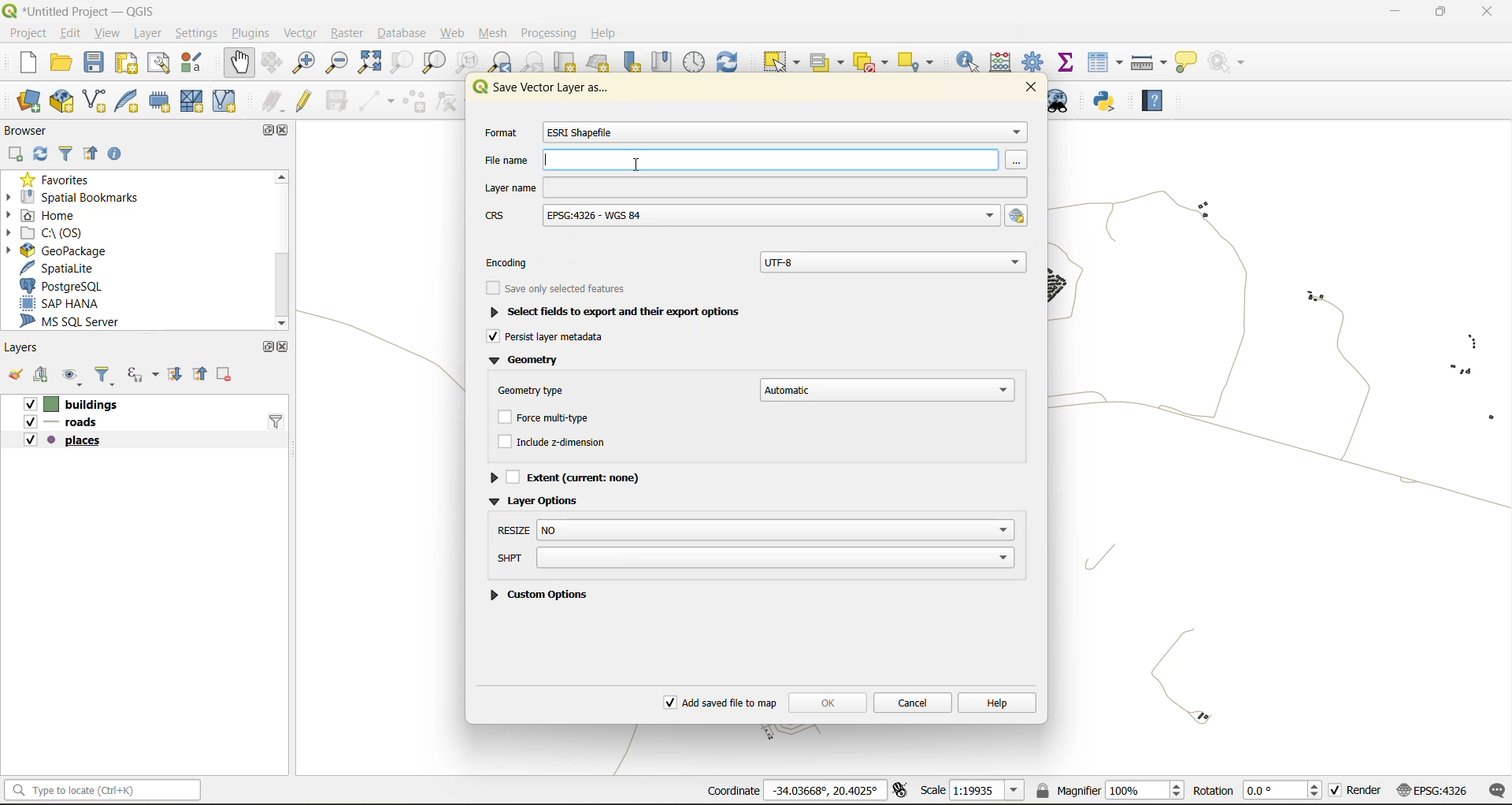  What do you see at coordinates (287, 132) in the screenshot?
I see `close` at bounding box center [287, 132].